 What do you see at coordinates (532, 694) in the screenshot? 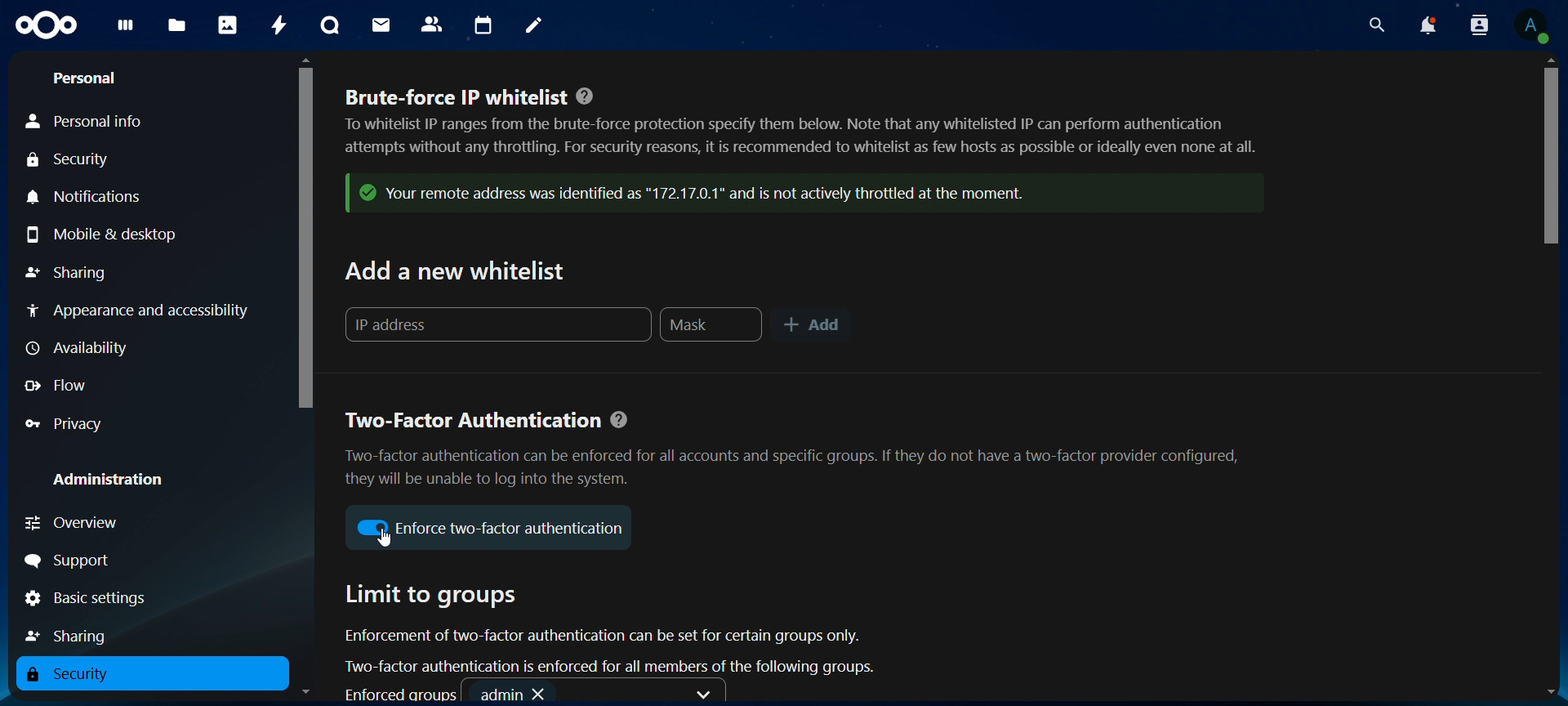
I see `enforced groups` at bounding box center [532, 694].